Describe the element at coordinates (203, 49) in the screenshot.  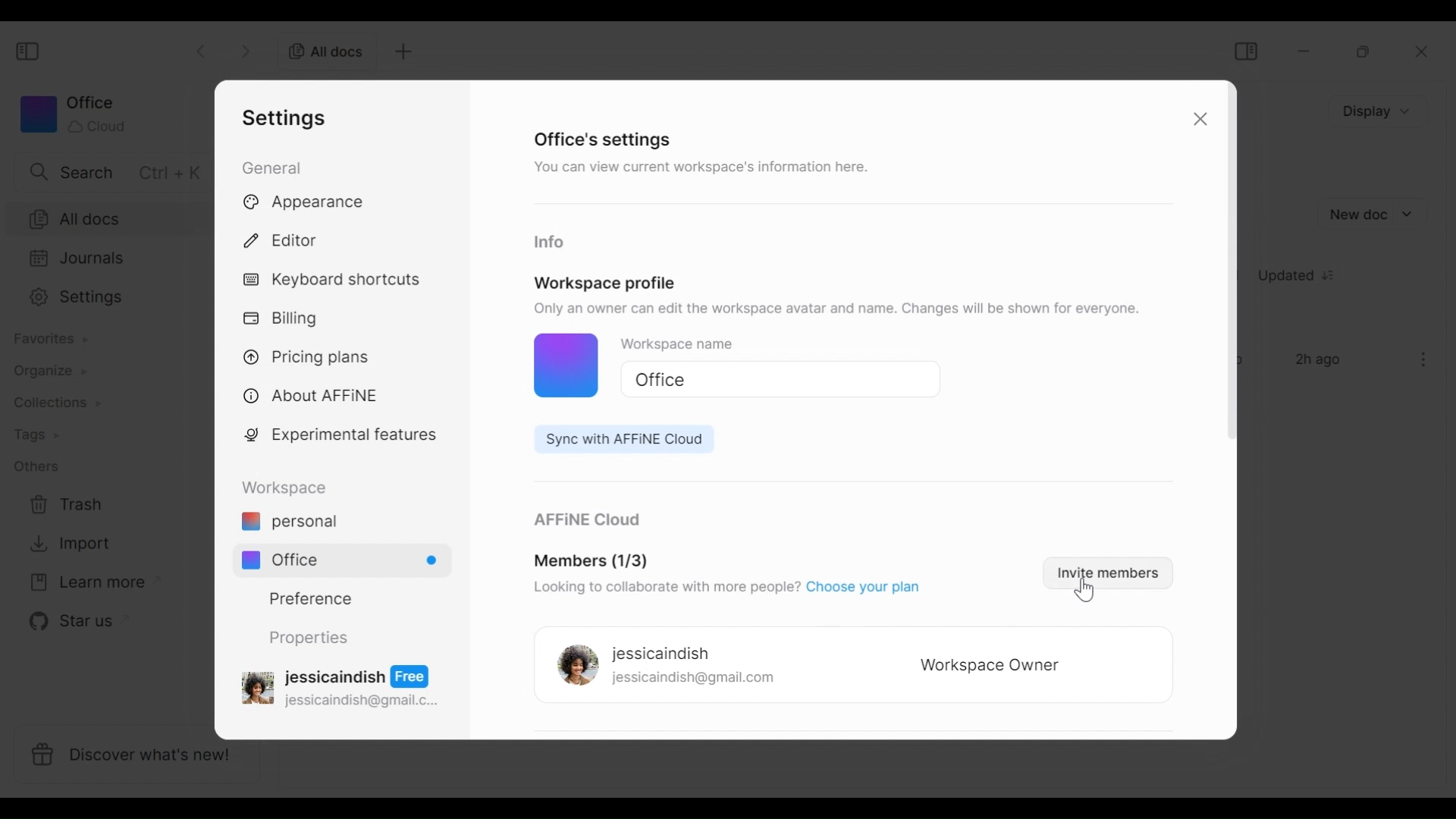
I see `Go back` at that location.